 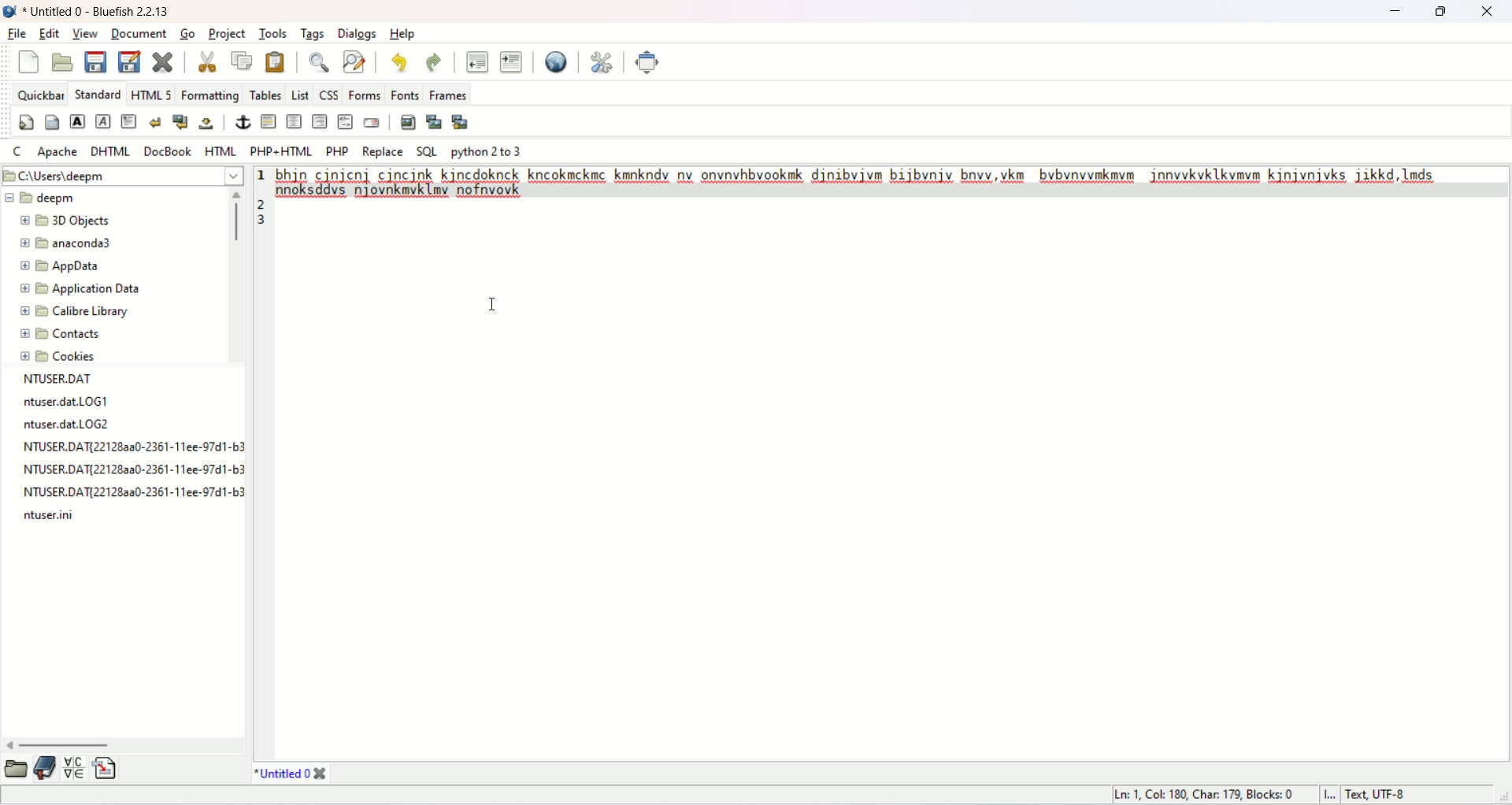 I want to click on view, so click(x=86, y=34).